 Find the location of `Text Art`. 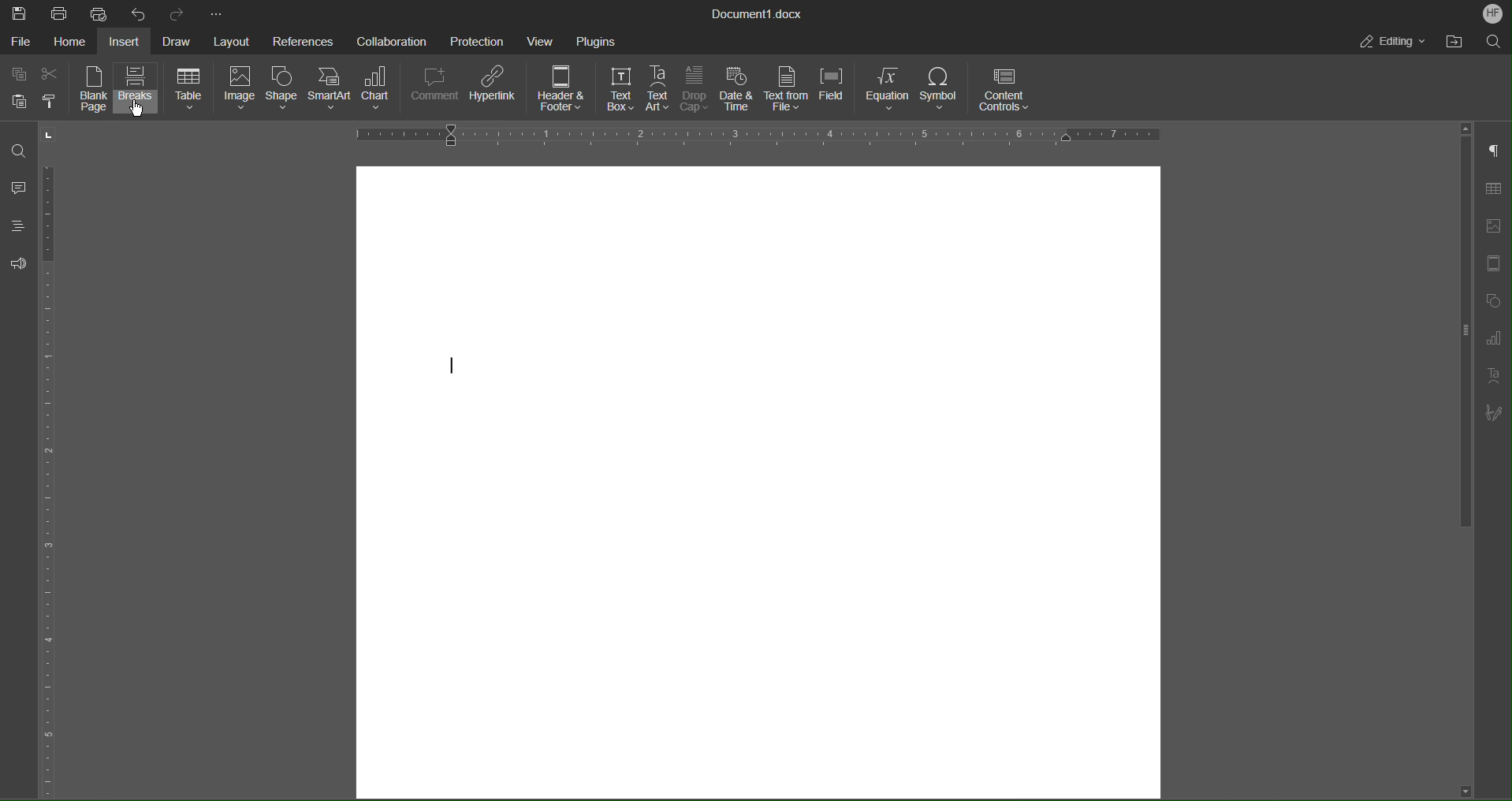

Text Art is located at coordinates (658, 90).